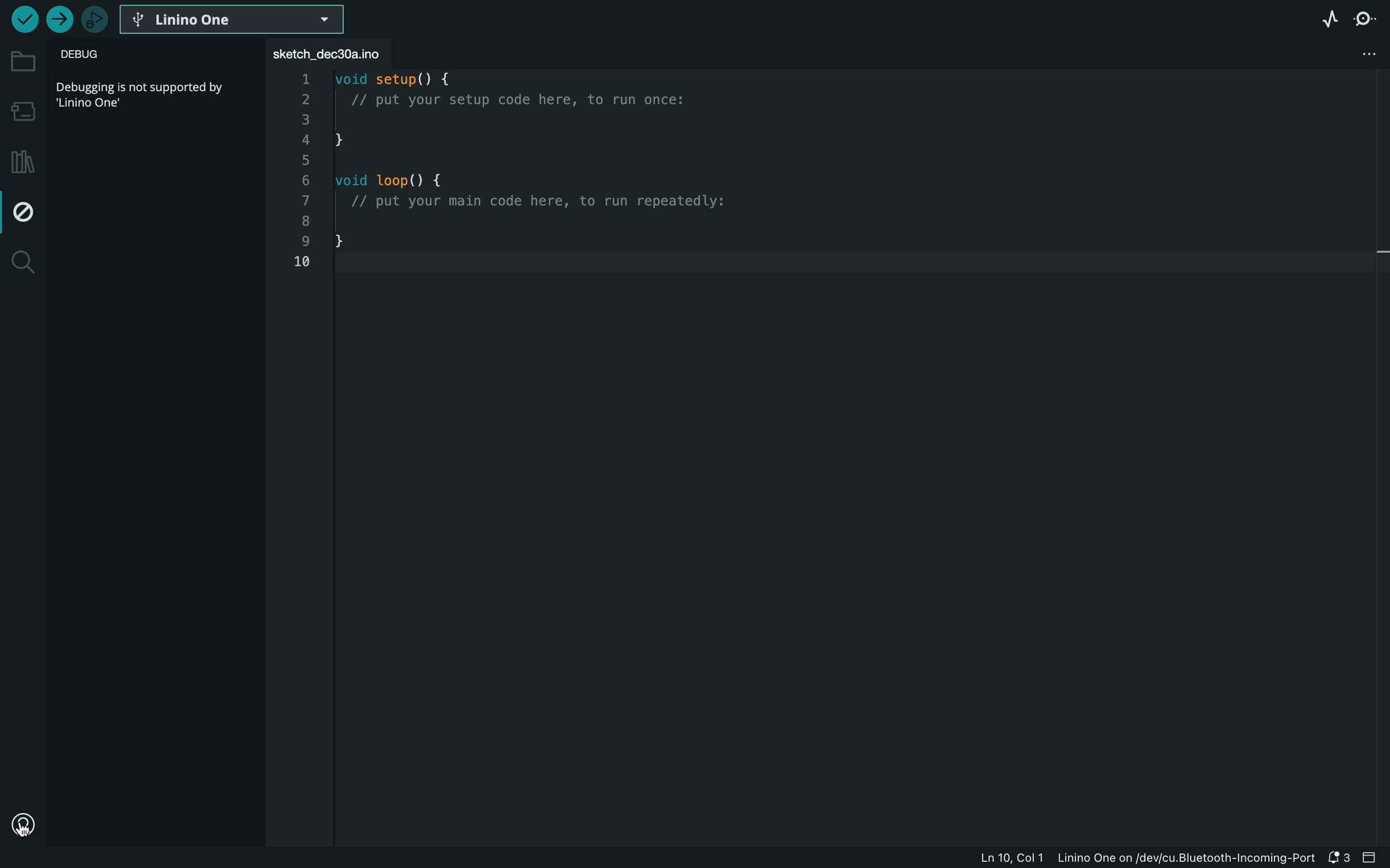  I want to click on close slide bar, so click(1369, 857).